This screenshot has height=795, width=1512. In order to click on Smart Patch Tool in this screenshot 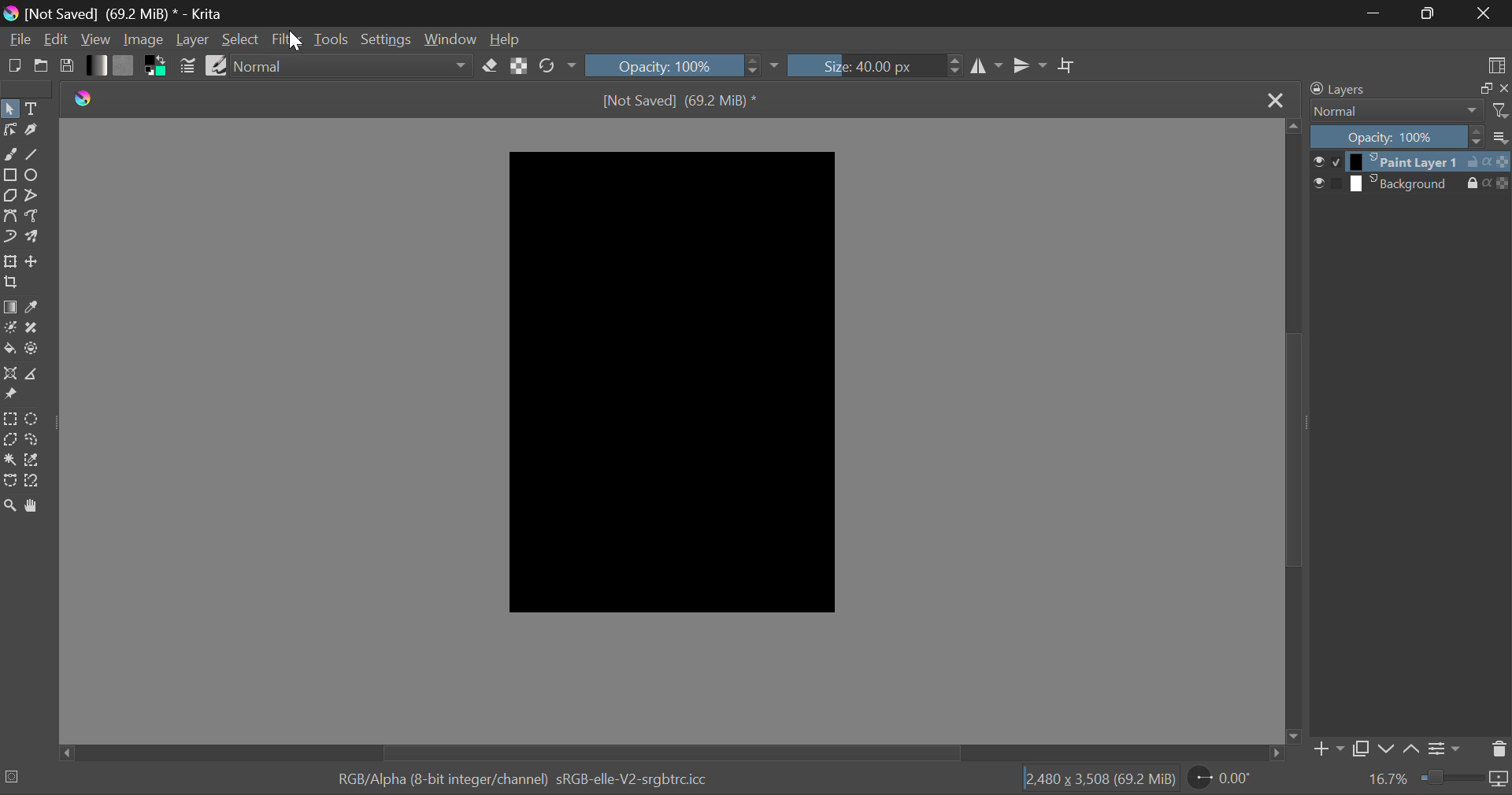, I will do `click(34, 329)`.